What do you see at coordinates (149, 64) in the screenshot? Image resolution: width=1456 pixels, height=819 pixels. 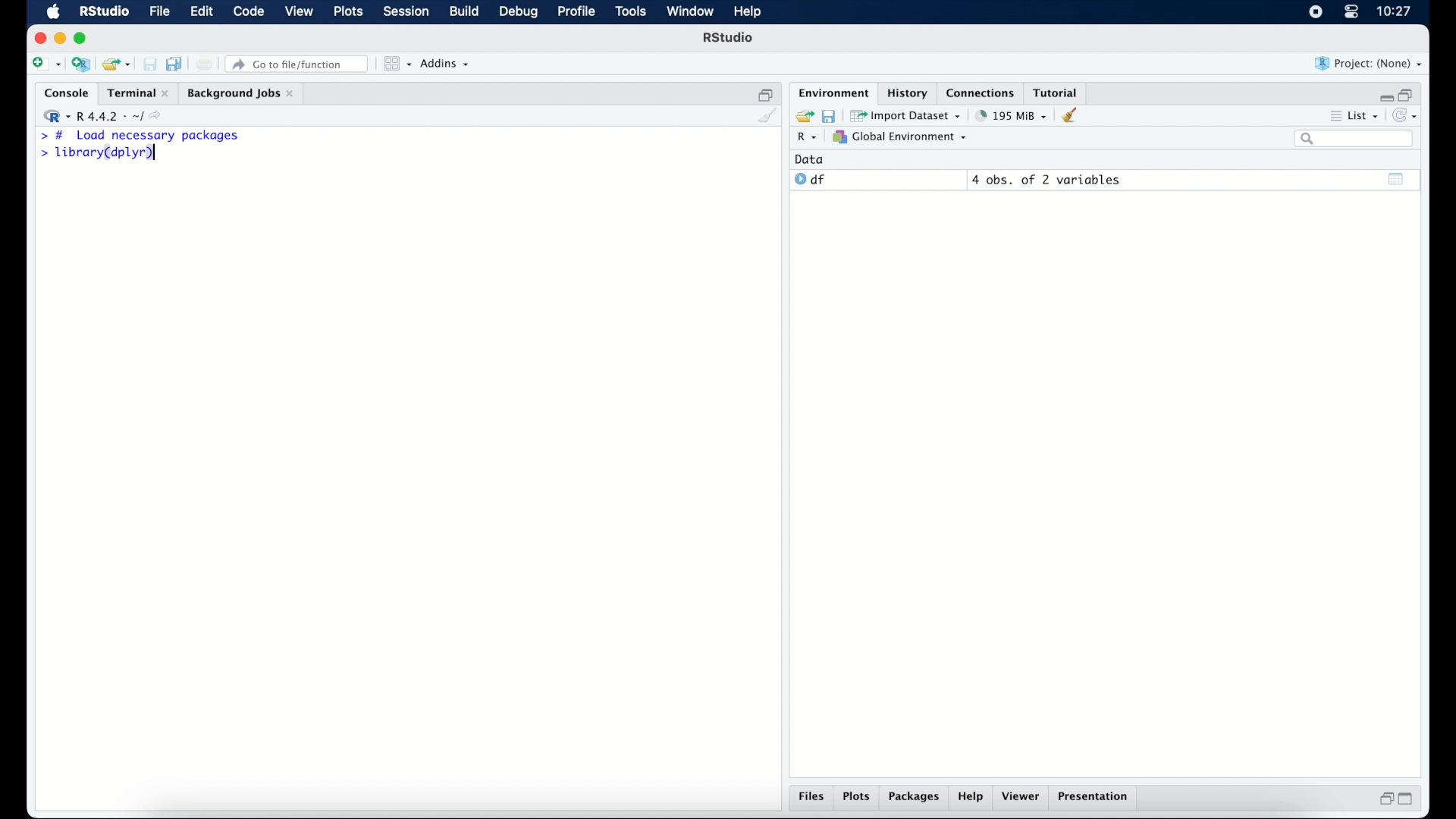 I see `save` at bounding box center [149, 64].